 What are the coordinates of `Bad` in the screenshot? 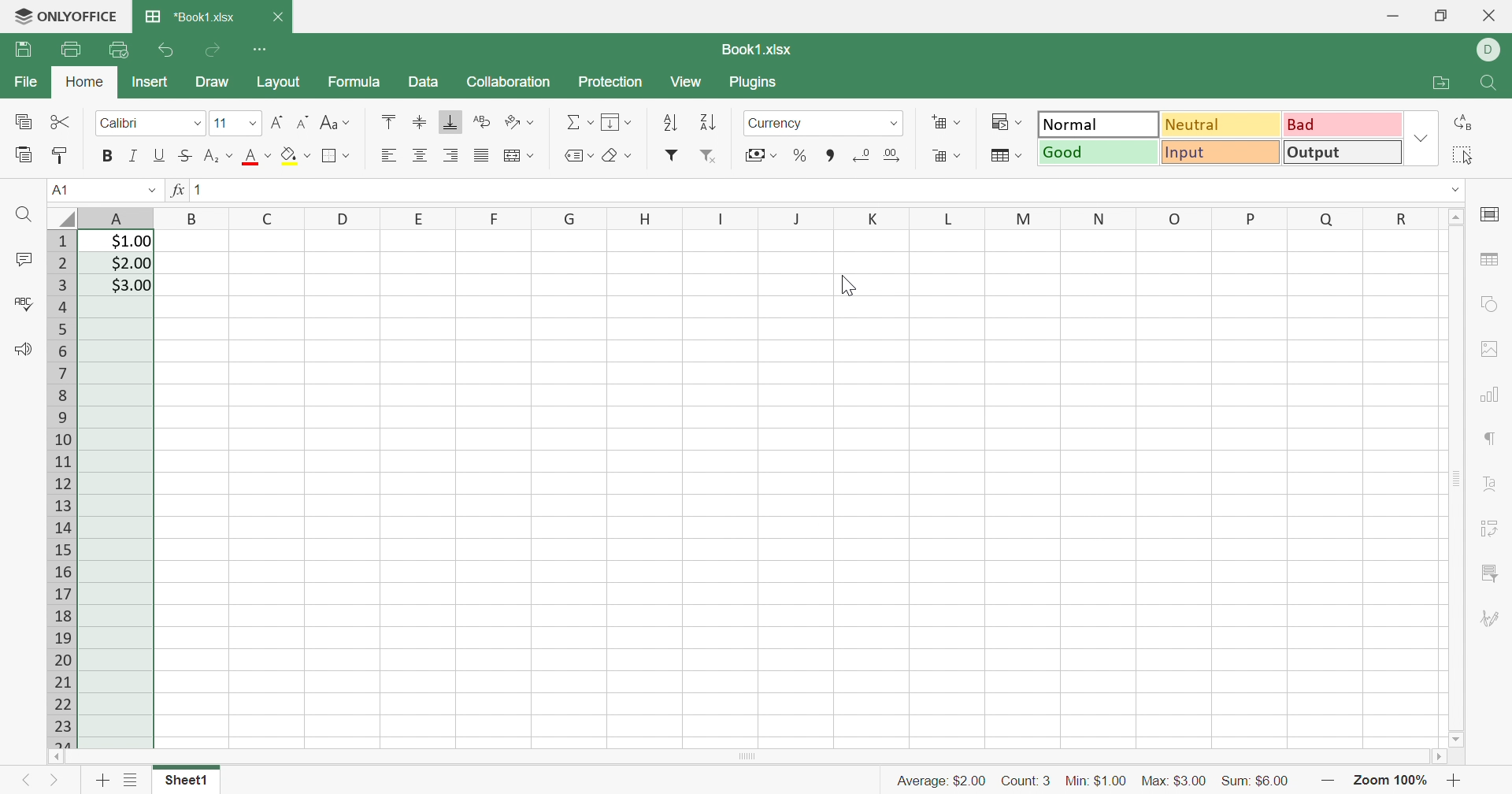 It's located at (1341, 123).